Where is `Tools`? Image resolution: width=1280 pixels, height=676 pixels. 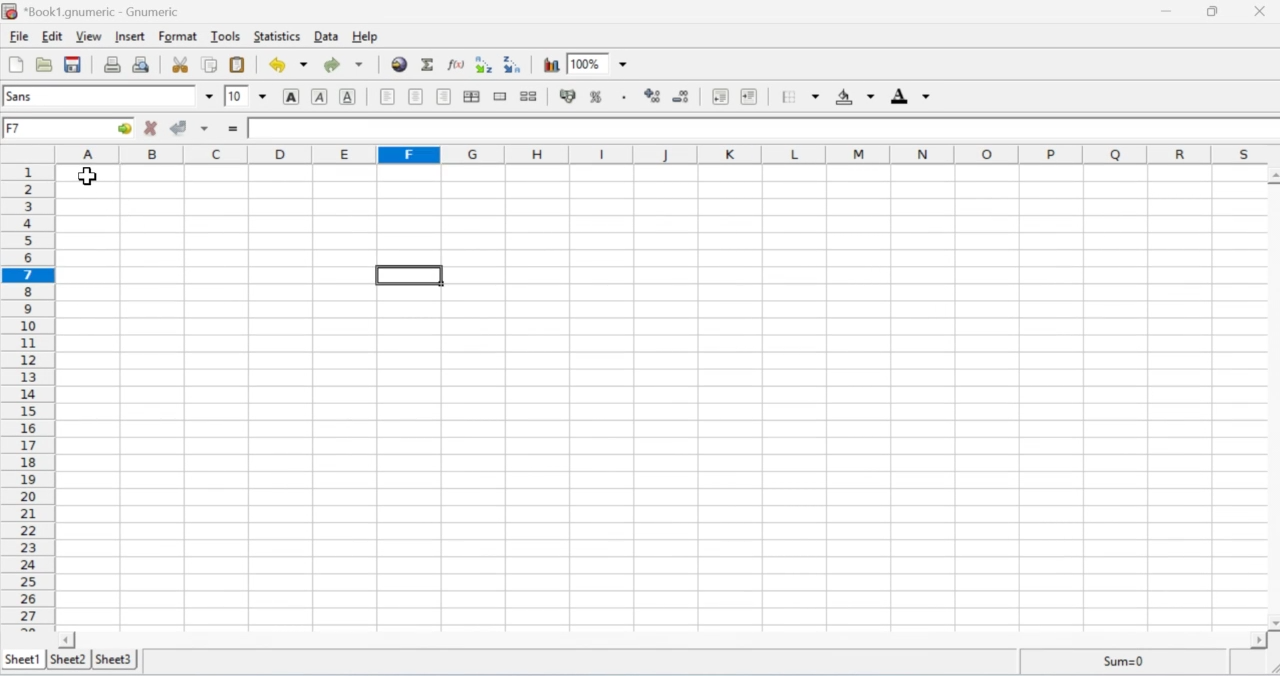
Tools is located at coordinates (227, 37).